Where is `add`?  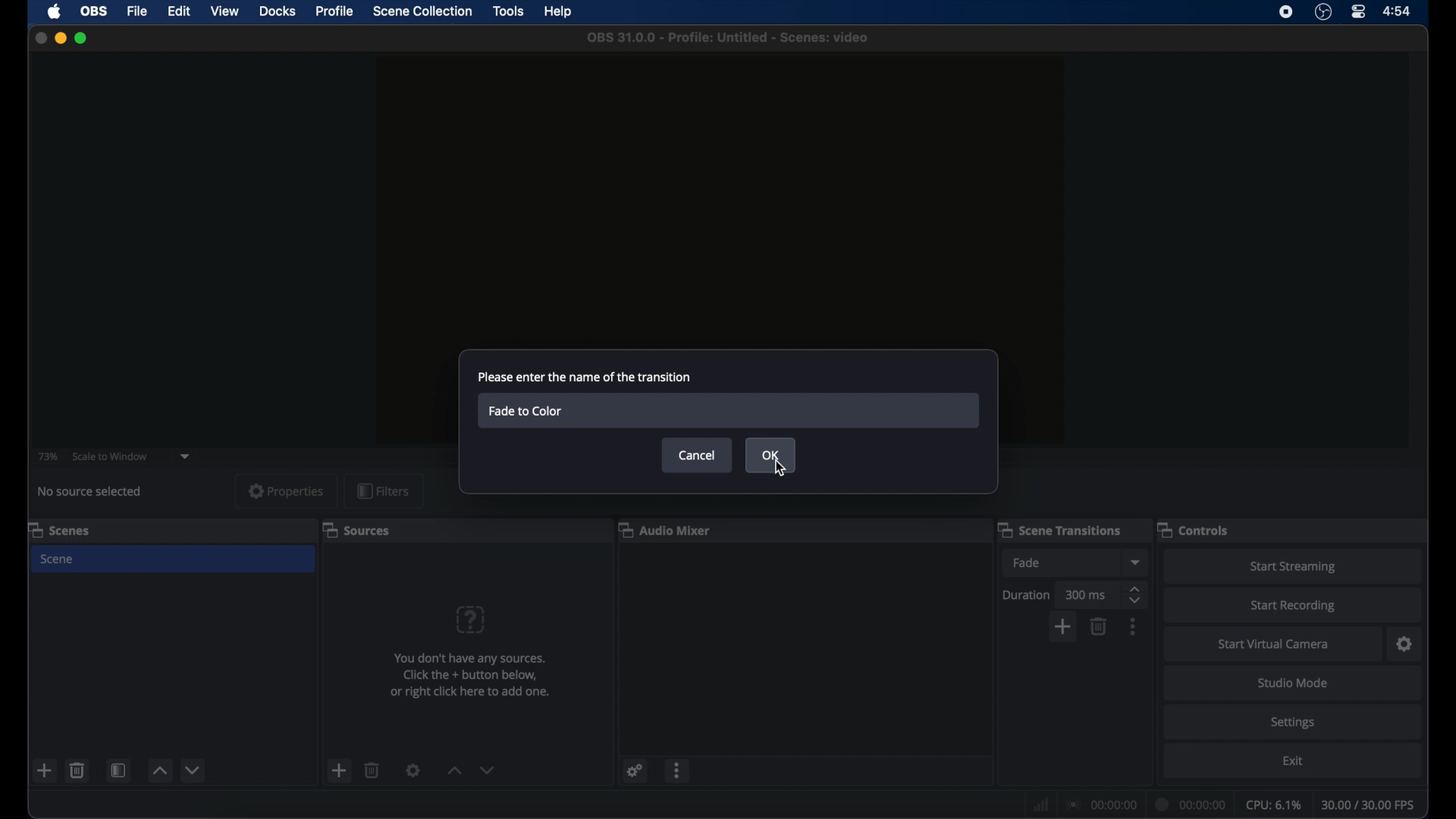
add is located at coordinates (44, 770).